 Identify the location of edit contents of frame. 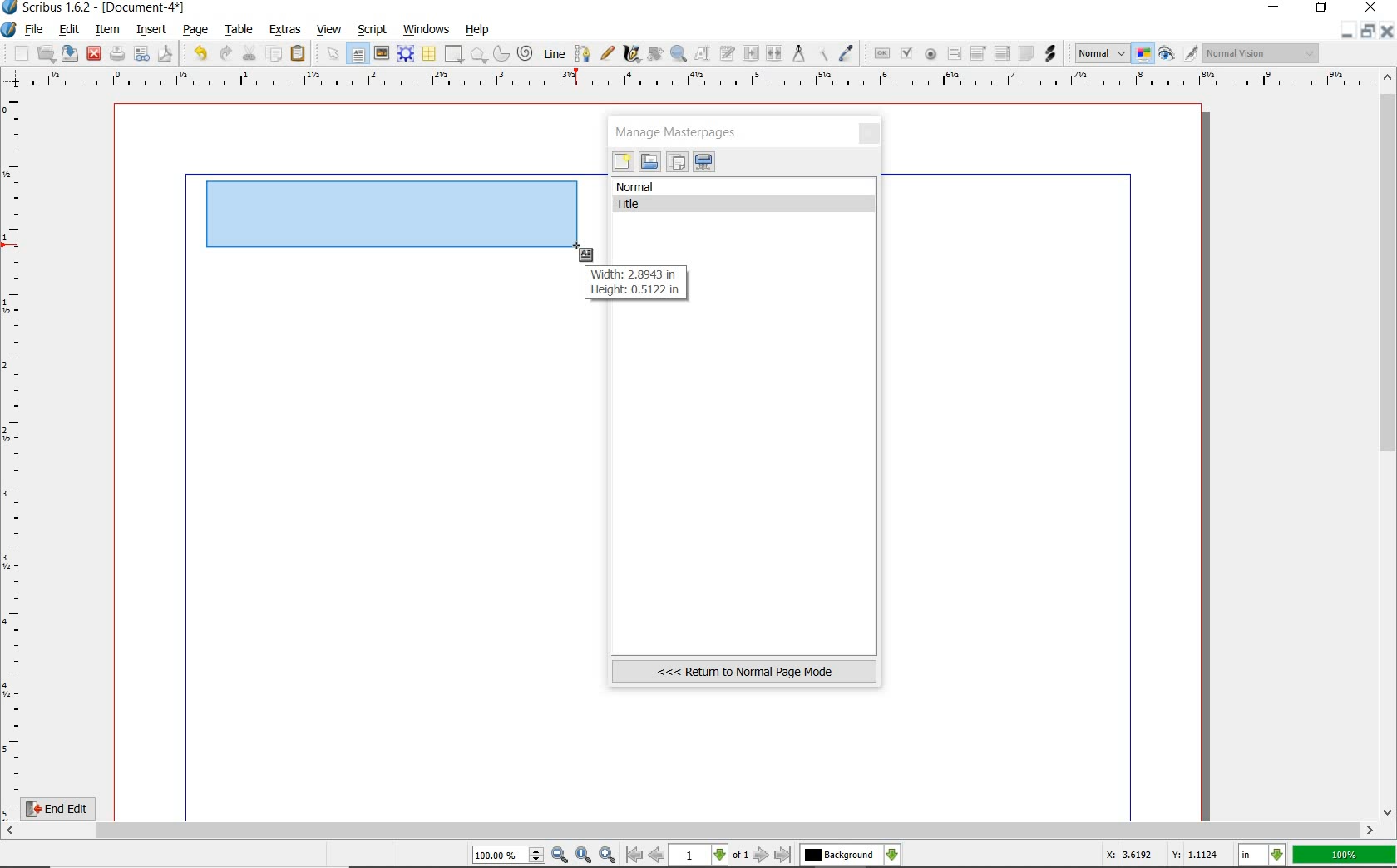
(704, 55).